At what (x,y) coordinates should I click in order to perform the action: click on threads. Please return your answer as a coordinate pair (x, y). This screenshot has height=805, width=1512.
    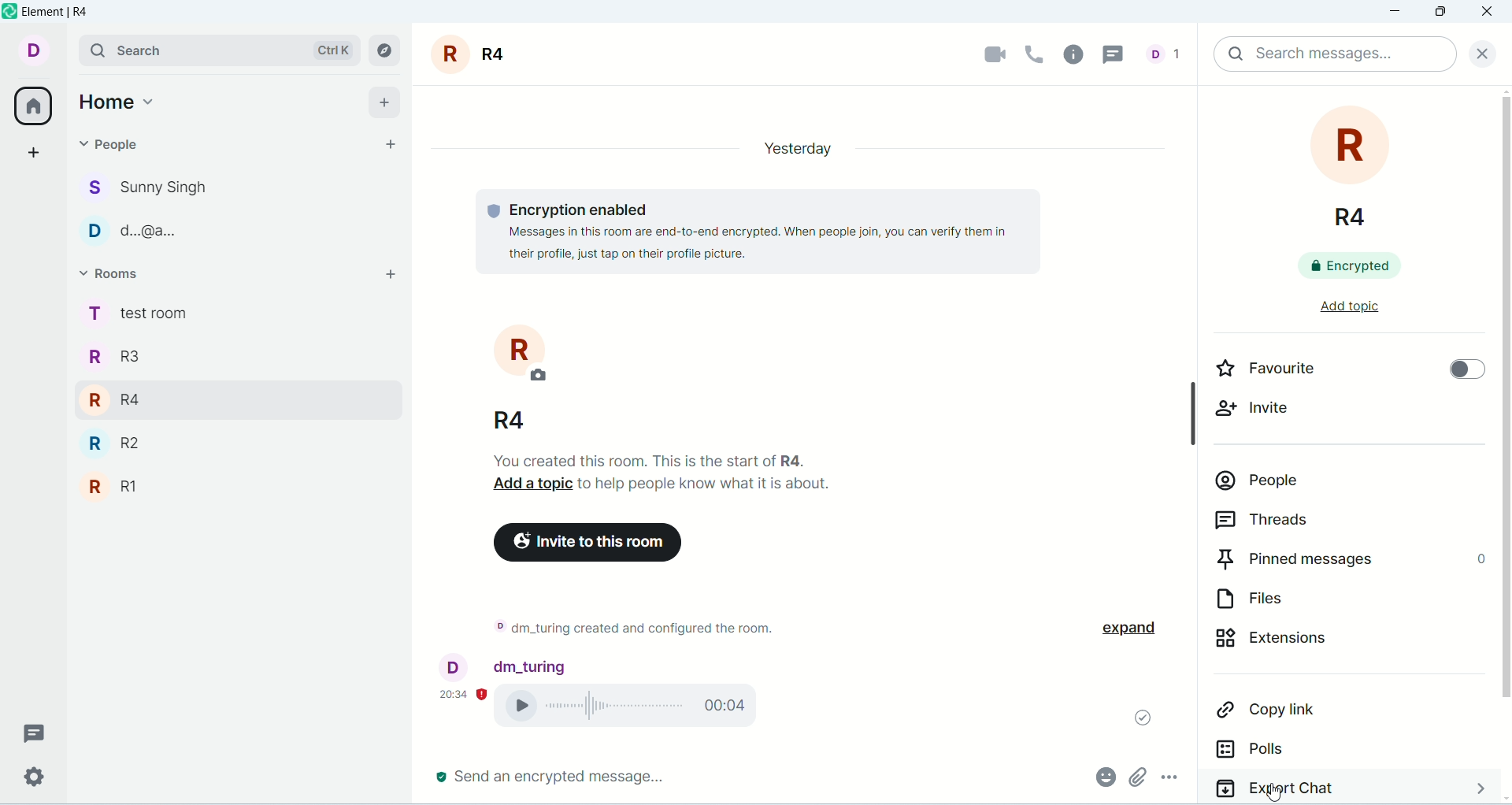
    Looking at the image, I should click on (1321, 519).